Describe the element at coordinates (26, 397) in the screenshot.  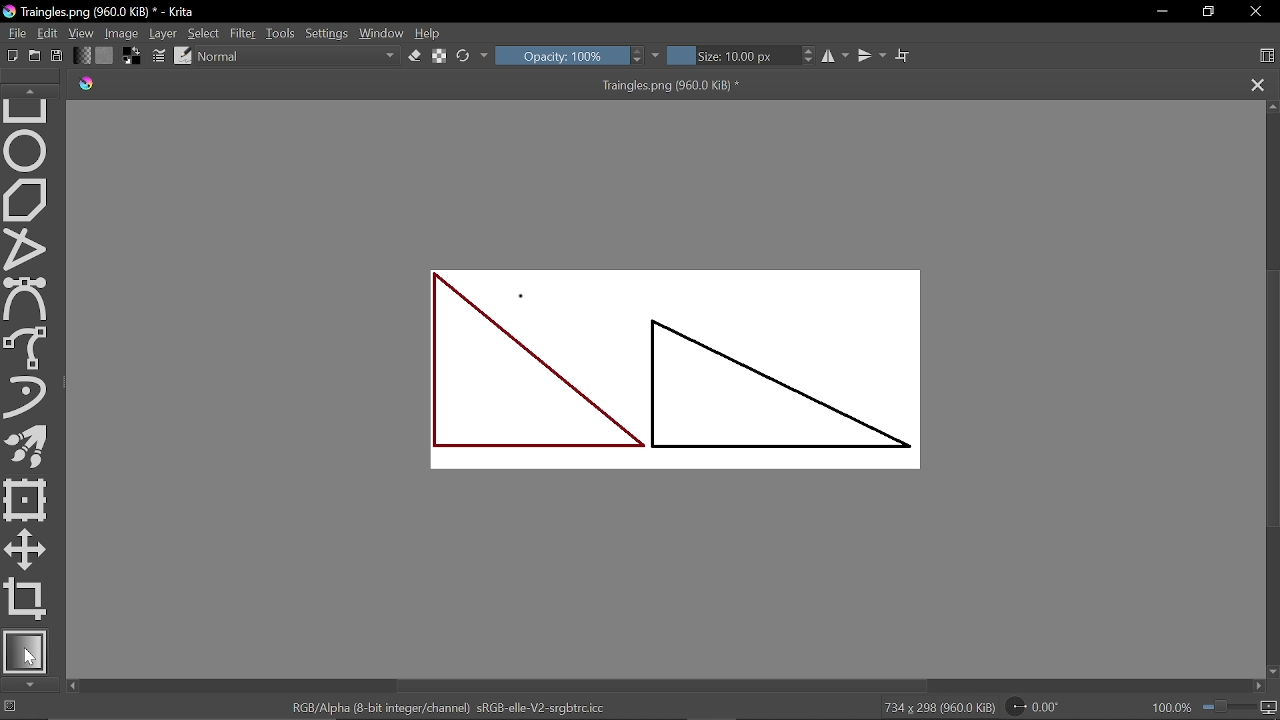
I see `Dynamic brush tool` at that location.